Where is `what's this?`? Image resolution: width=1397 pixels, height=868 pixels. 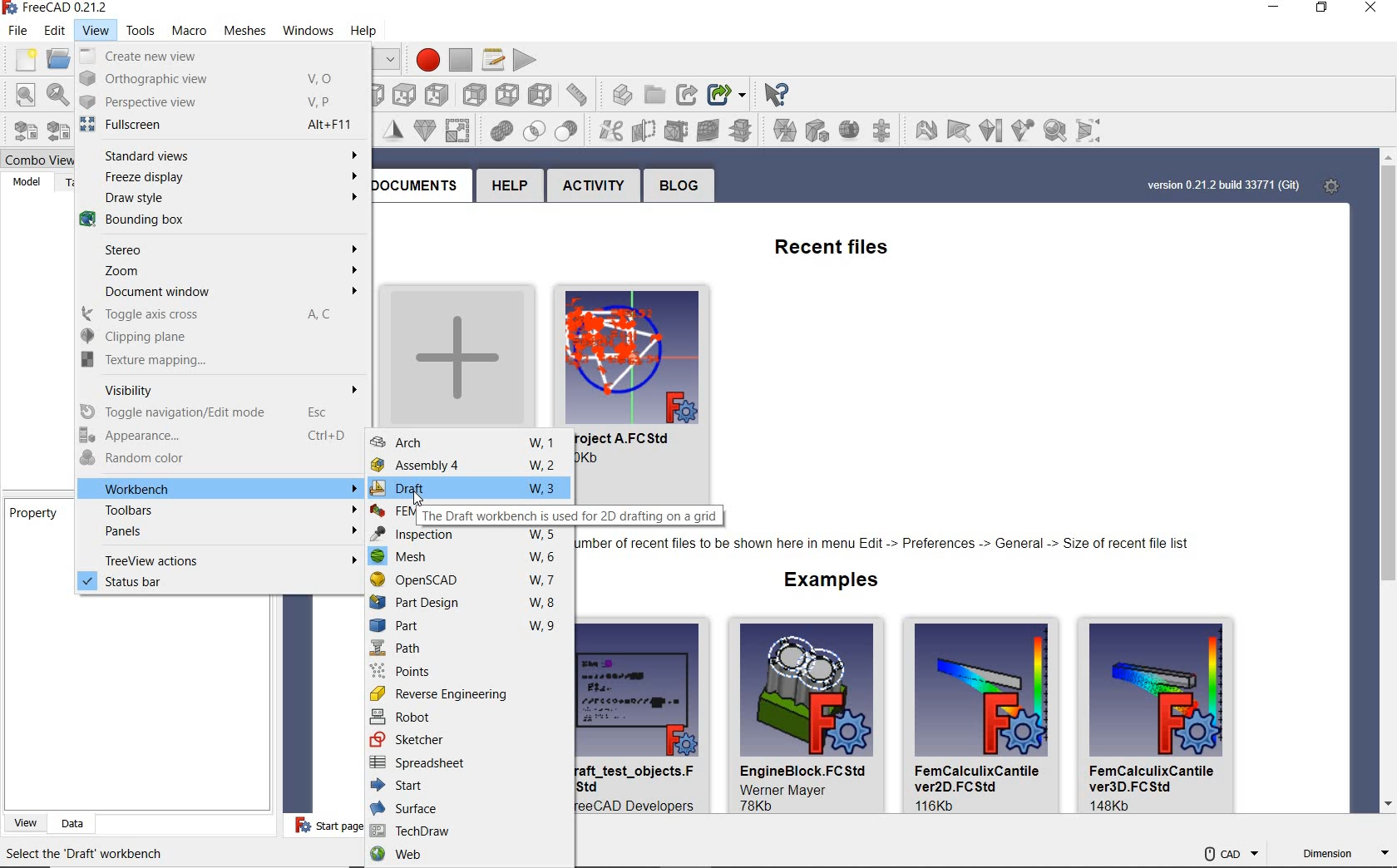 what's this? is located at coordinates (728, 91).